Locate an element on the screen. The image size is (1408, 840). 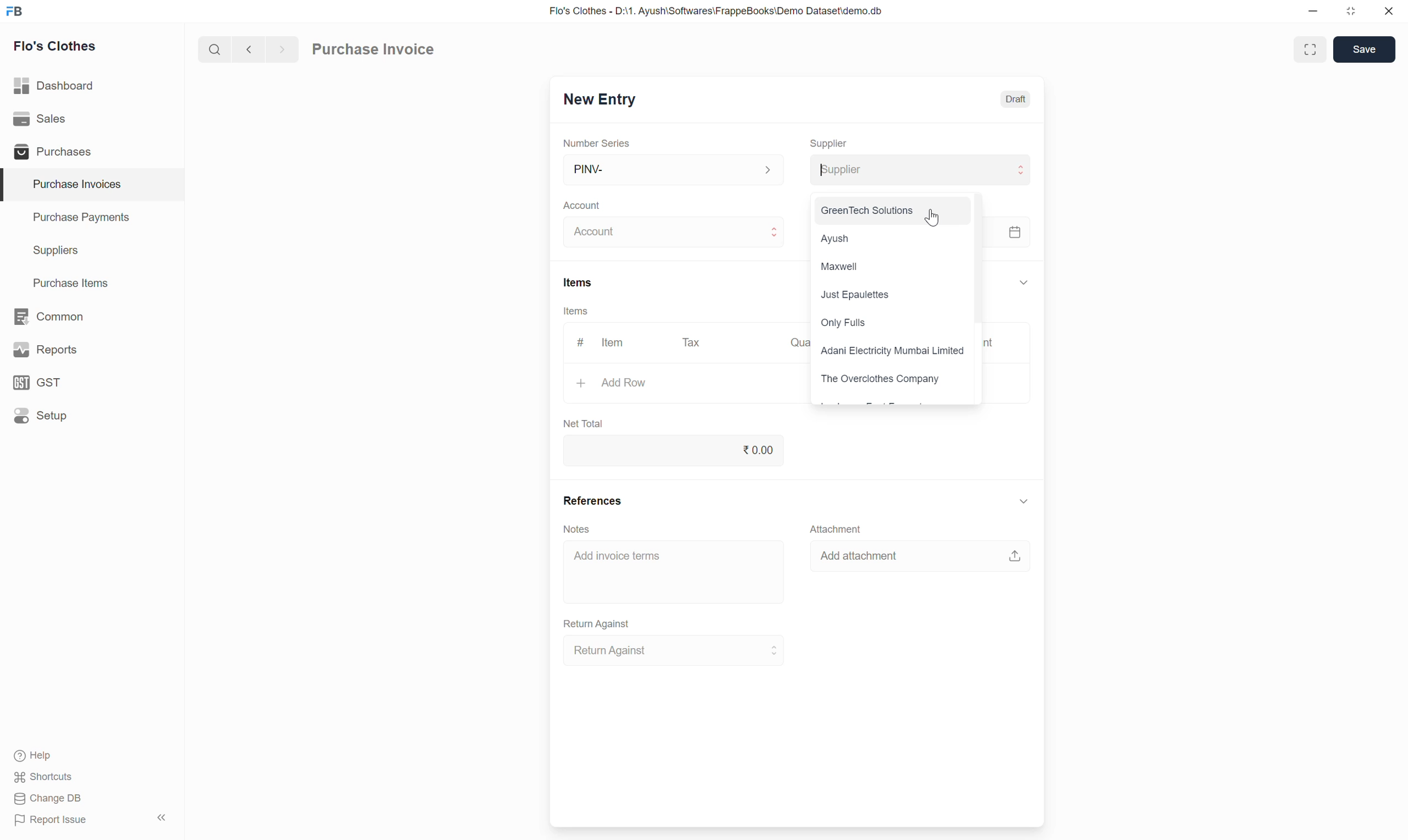
Return Against is located at coordinates (598, 624).